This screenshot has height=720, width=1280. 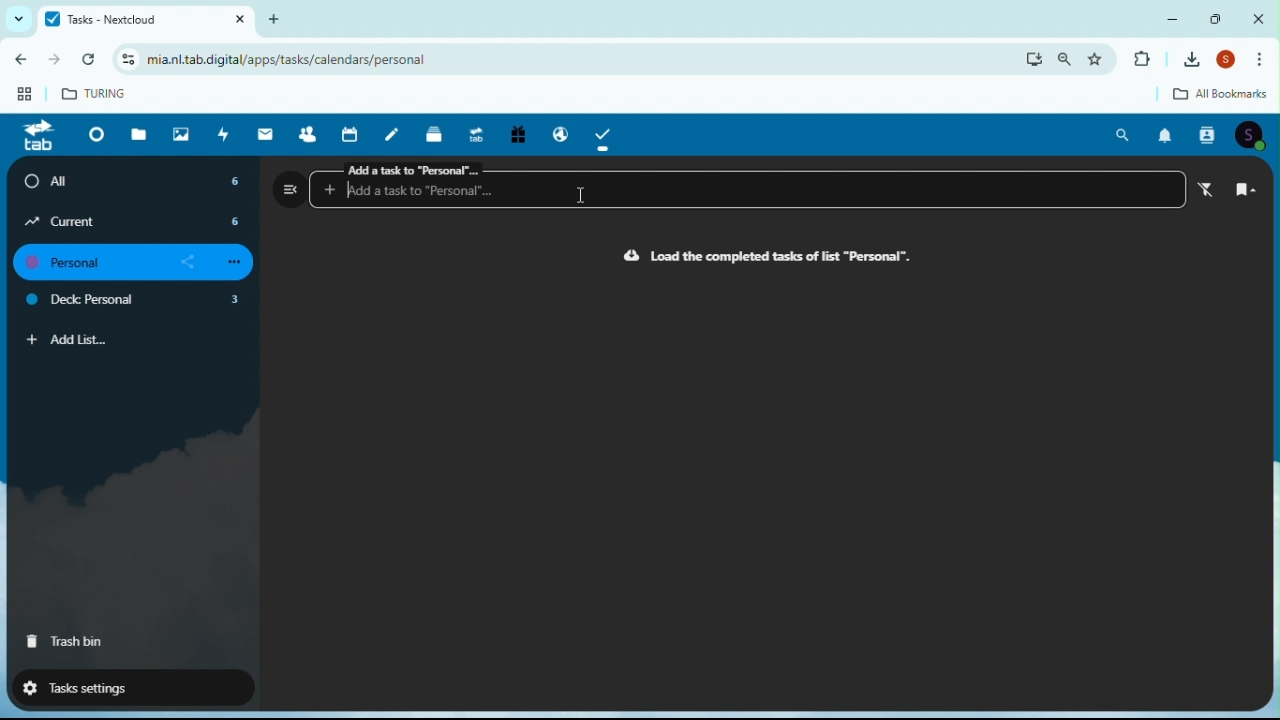 I want to click on Downloads, so click(x=1195, y=59).